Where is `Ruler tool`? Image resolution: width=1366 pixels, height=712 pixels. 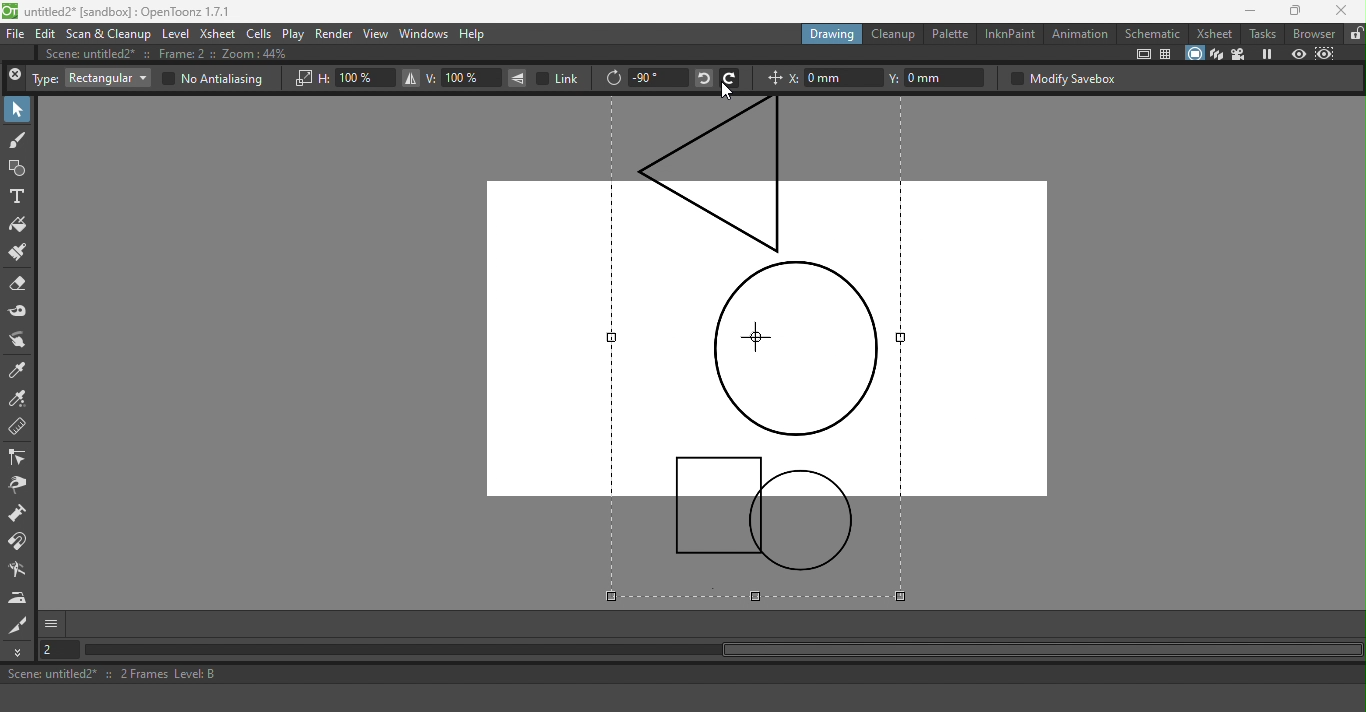
Ruler tool is located at coordinates (18, 428).